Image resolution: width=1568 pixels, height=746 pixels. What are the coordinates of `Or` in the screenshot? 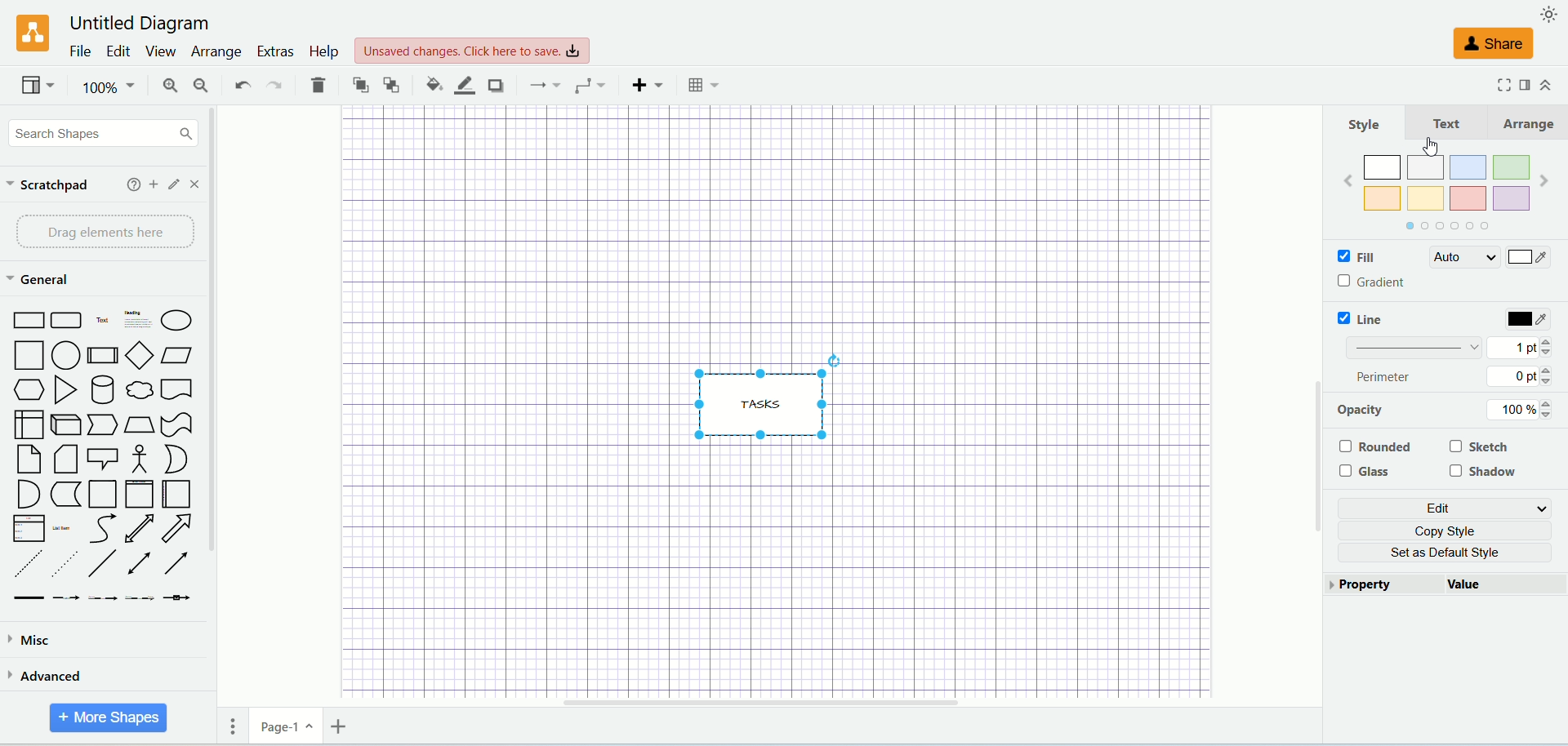 It's located at (174, 459).